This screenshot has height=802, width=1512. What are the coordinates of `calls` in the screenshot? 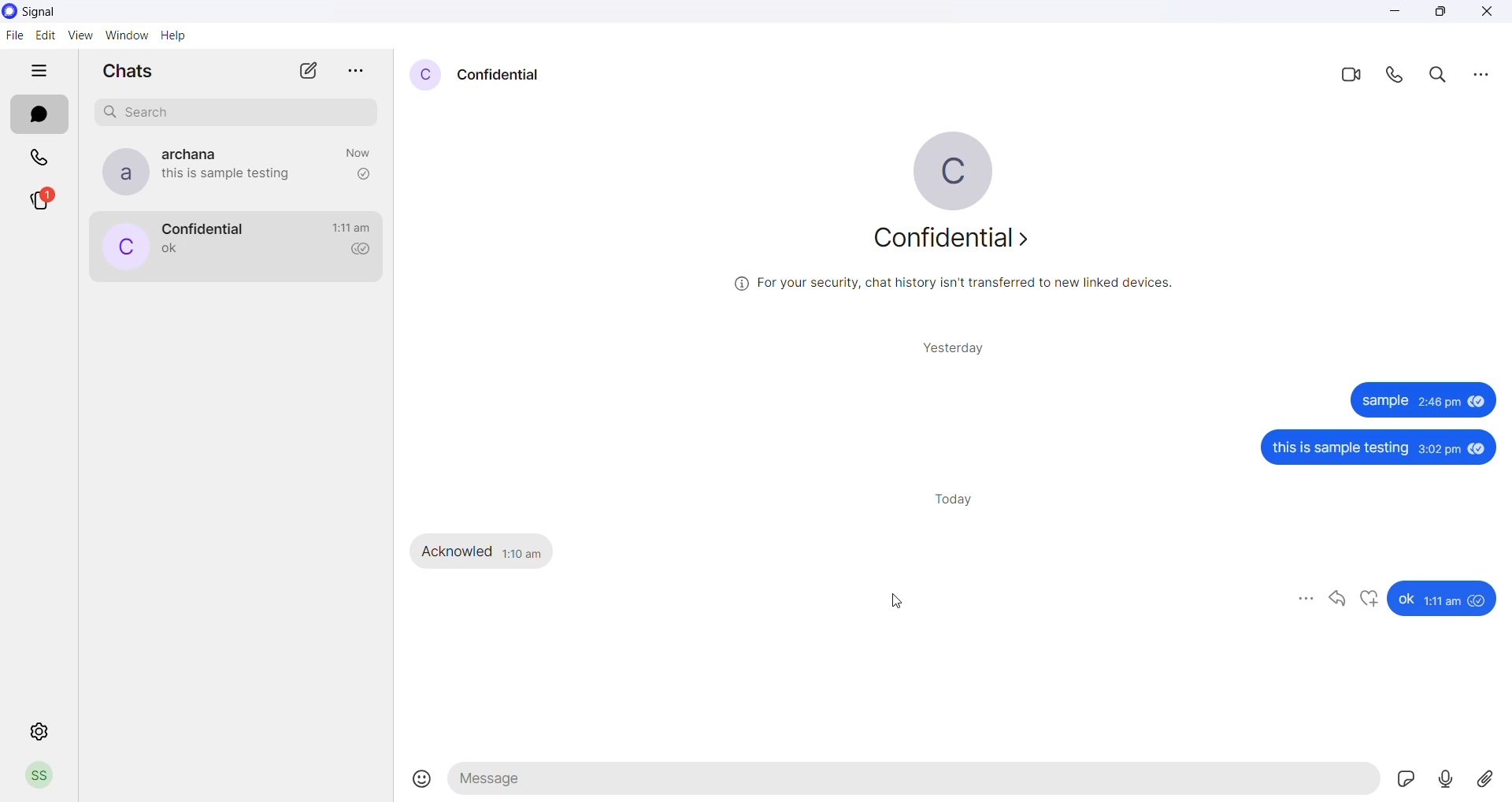 It's located at (42, 155).